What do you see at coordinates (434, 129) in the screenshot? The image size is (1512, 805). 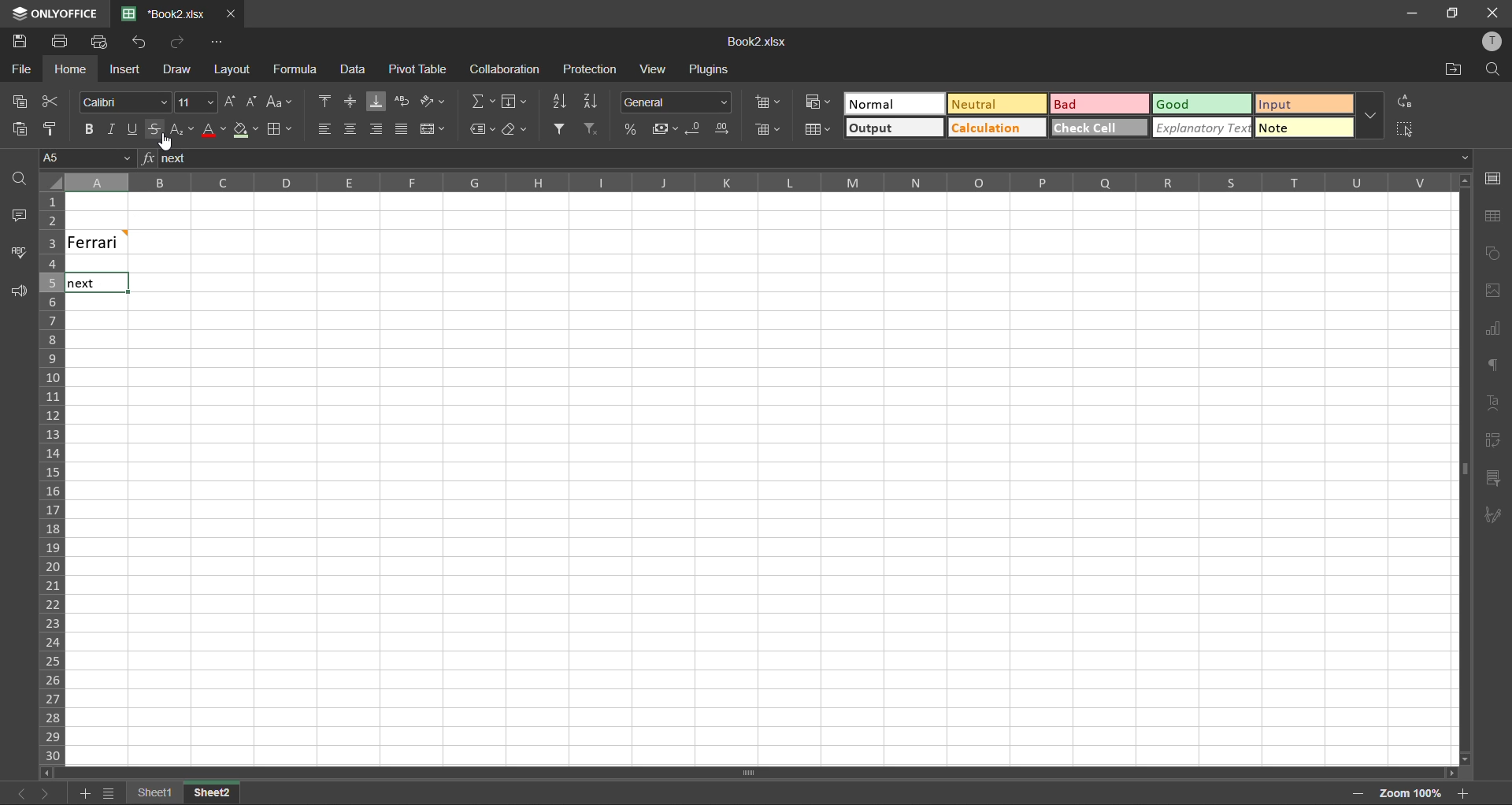 I see `merge and center` at bounding box center [434, 129].